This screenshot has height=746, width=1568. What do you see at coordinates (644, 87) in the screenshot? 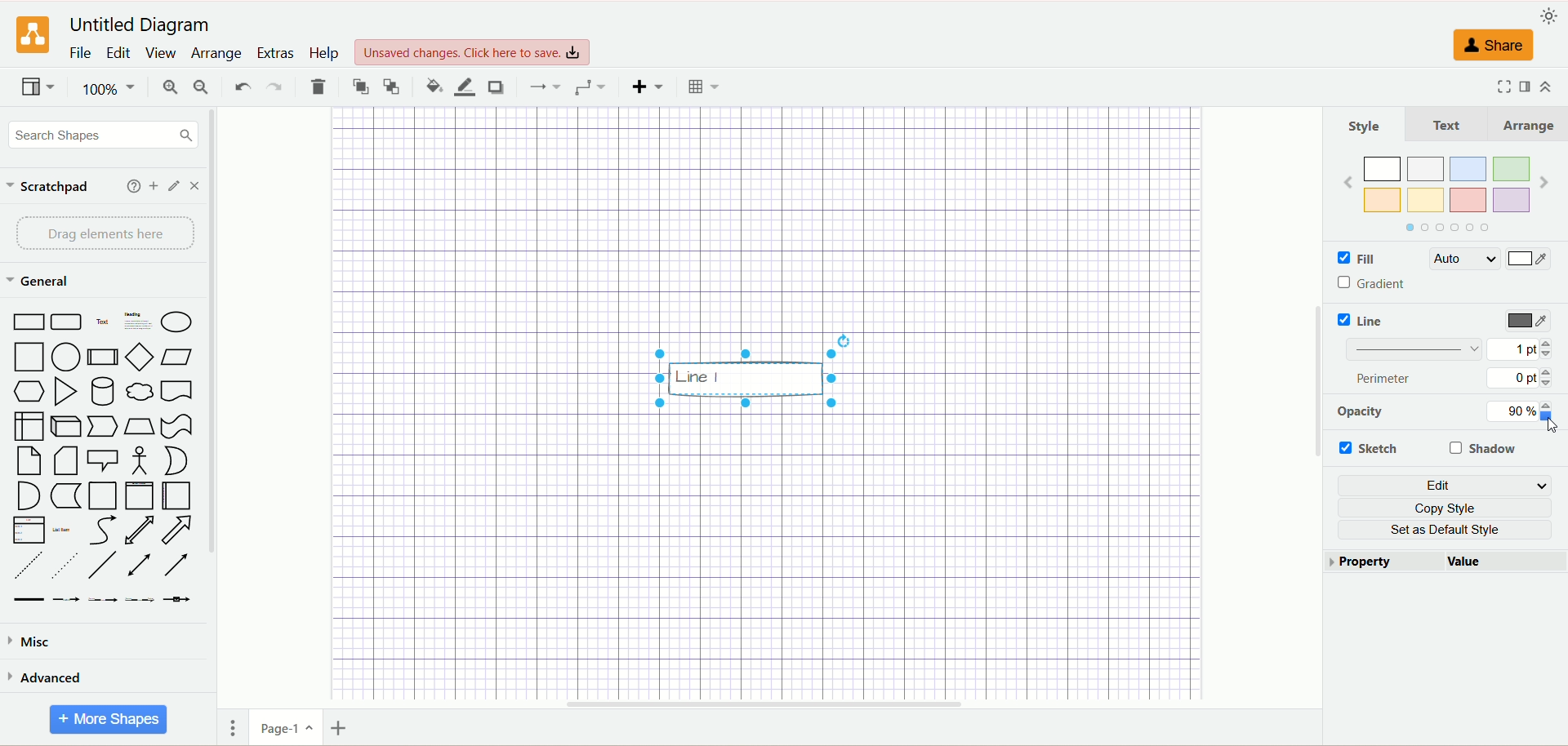
I see `insert` at bounding box center [644, 87].